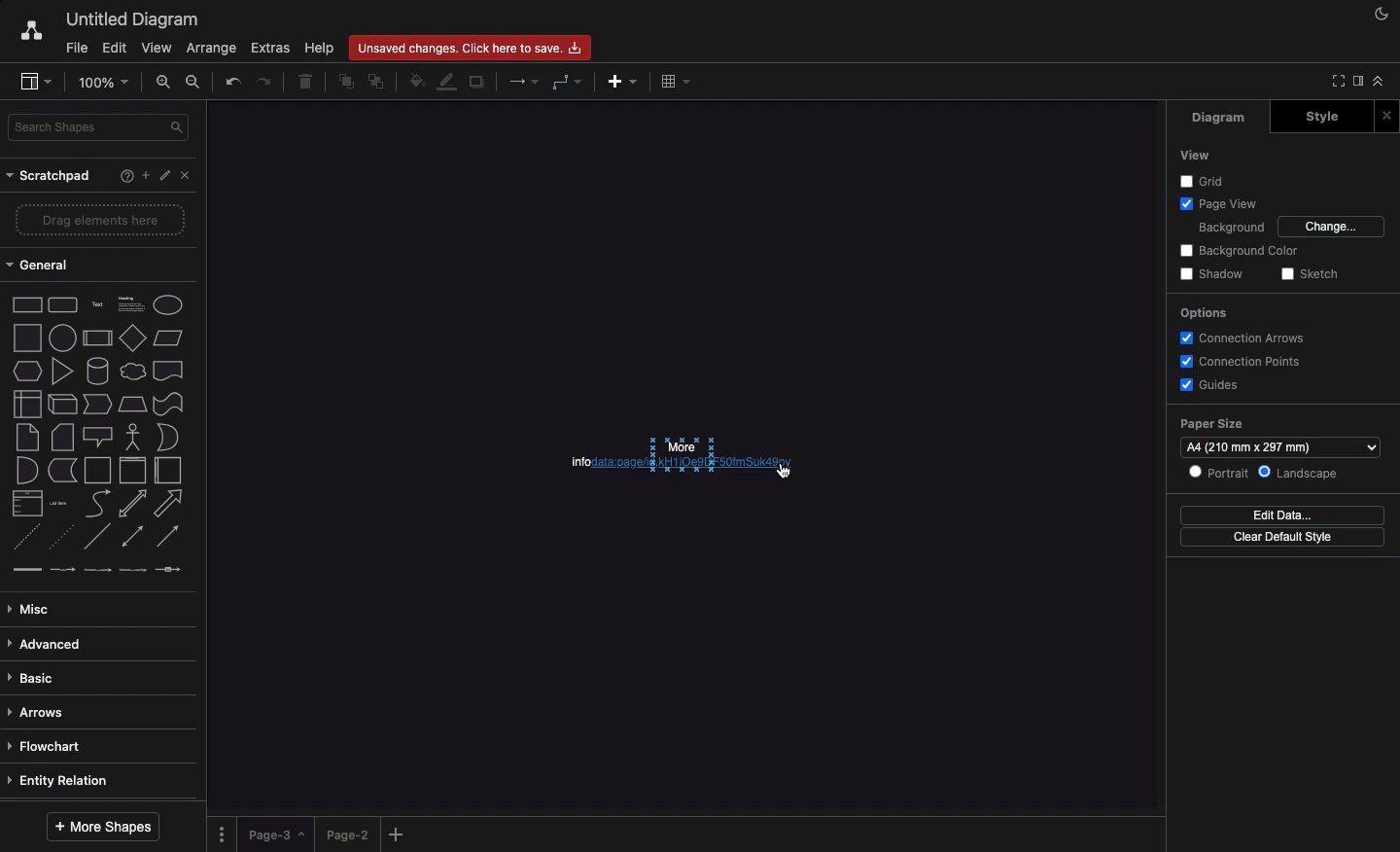  I want to click on Landscape, so click(1304, 471).